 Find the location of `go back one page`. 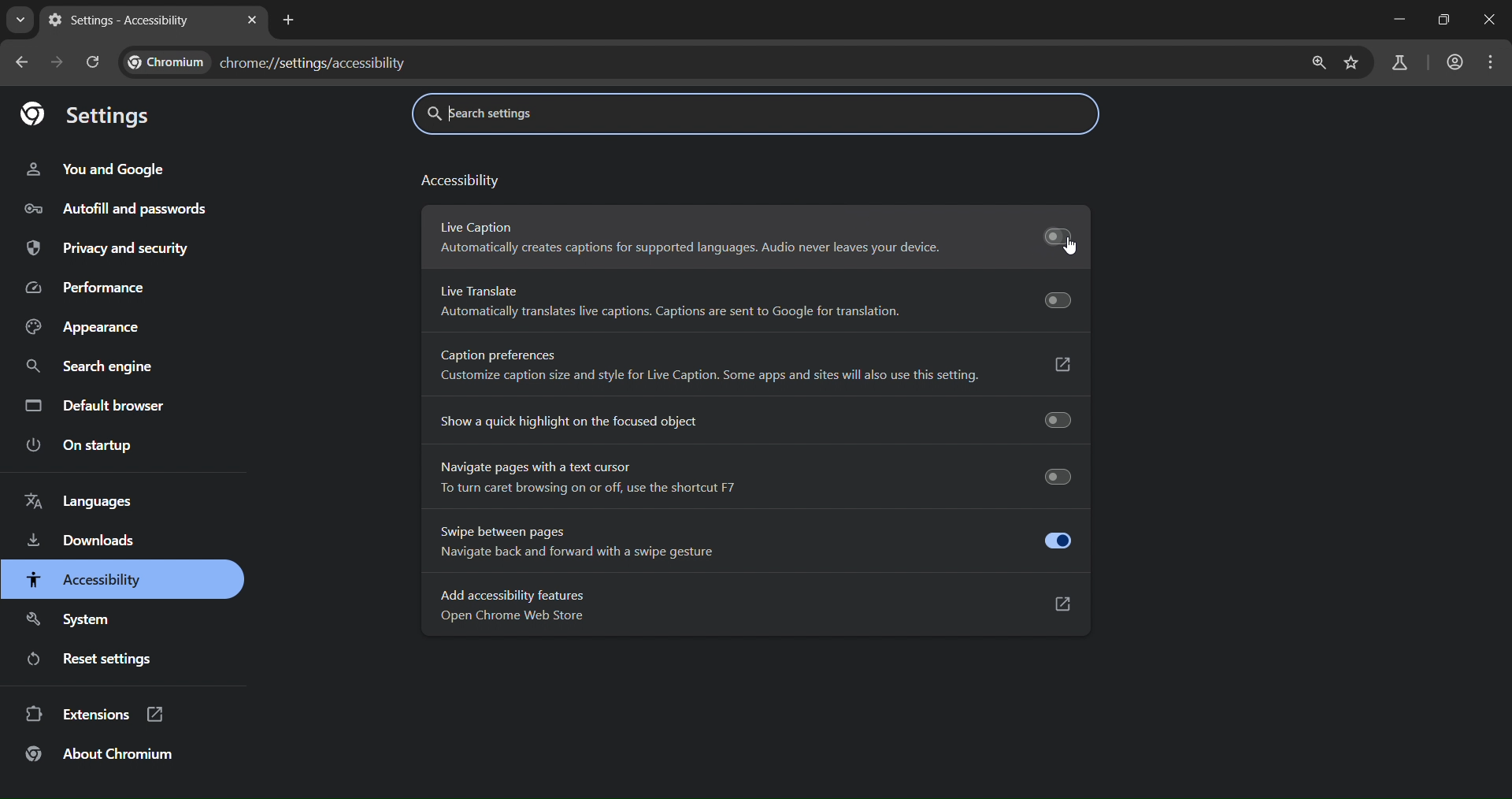

go back one page is located at coordinates (23, 63).